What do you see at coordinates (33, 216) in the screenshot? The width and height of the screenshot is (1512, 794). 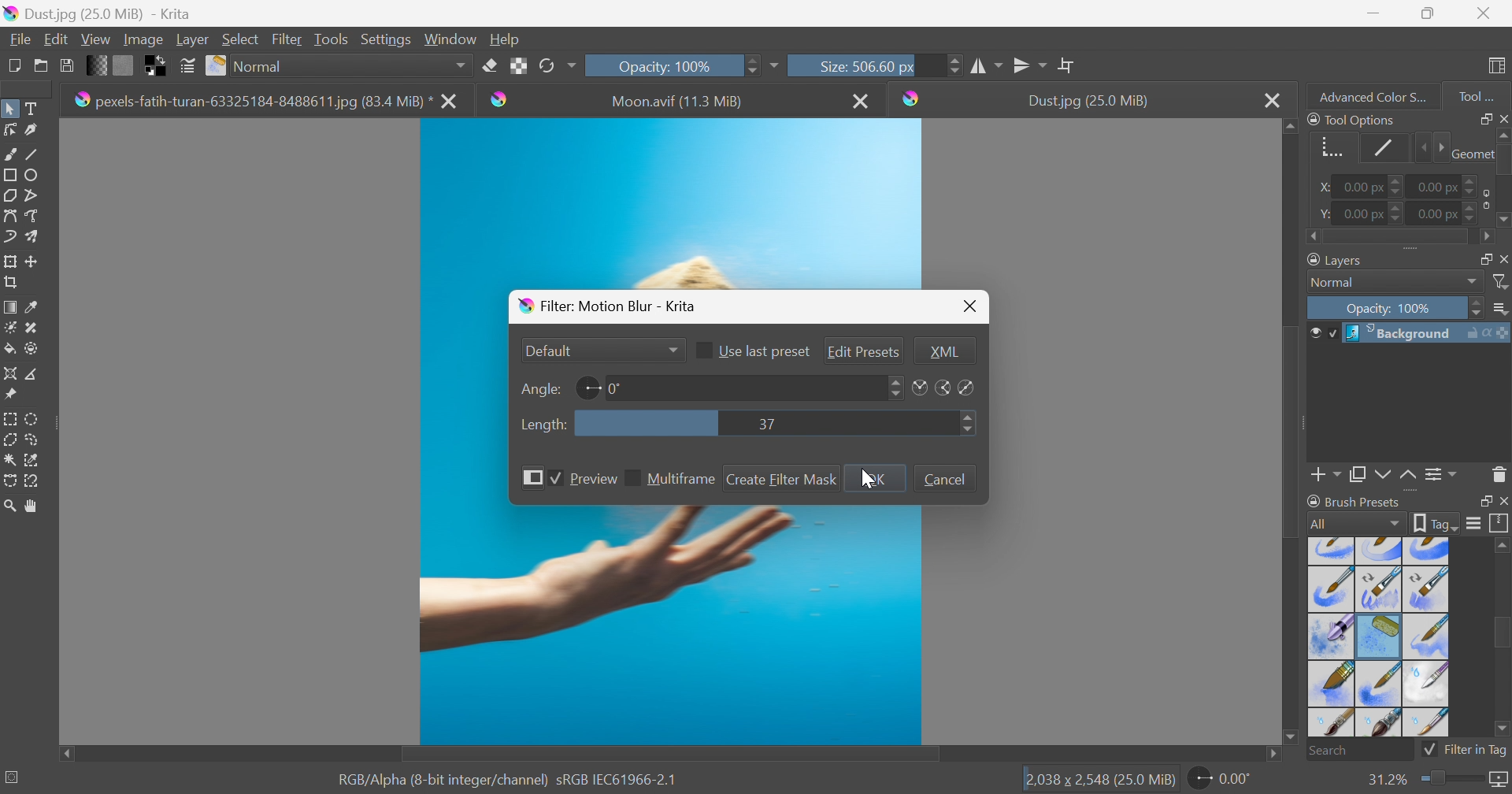 I see `Freehand path tool` at bounding box center [33, 216].